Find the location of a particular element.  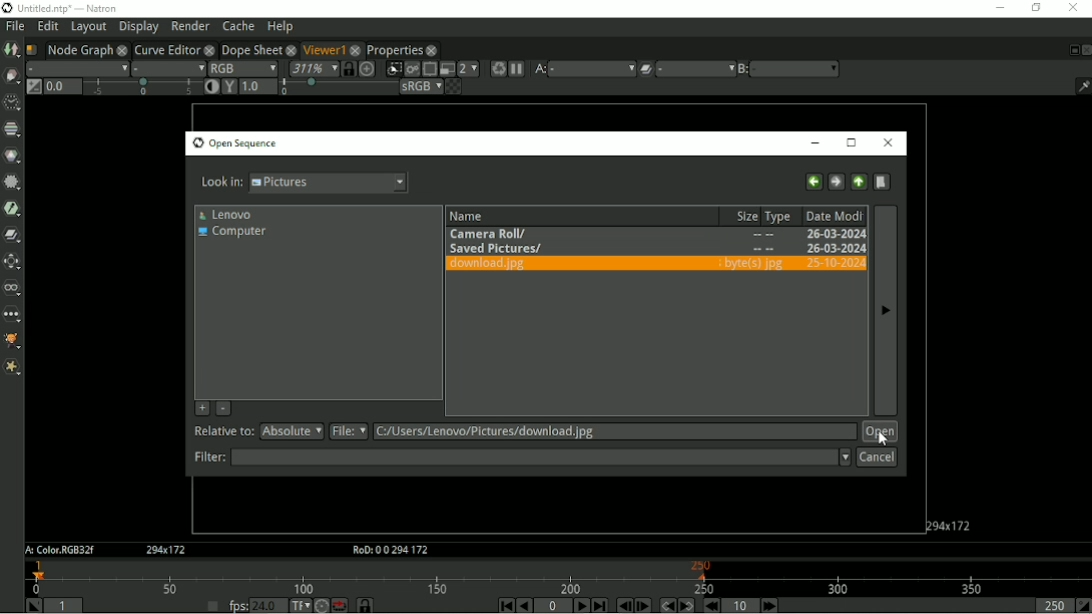

Close is located at coordinates (1073, 9).